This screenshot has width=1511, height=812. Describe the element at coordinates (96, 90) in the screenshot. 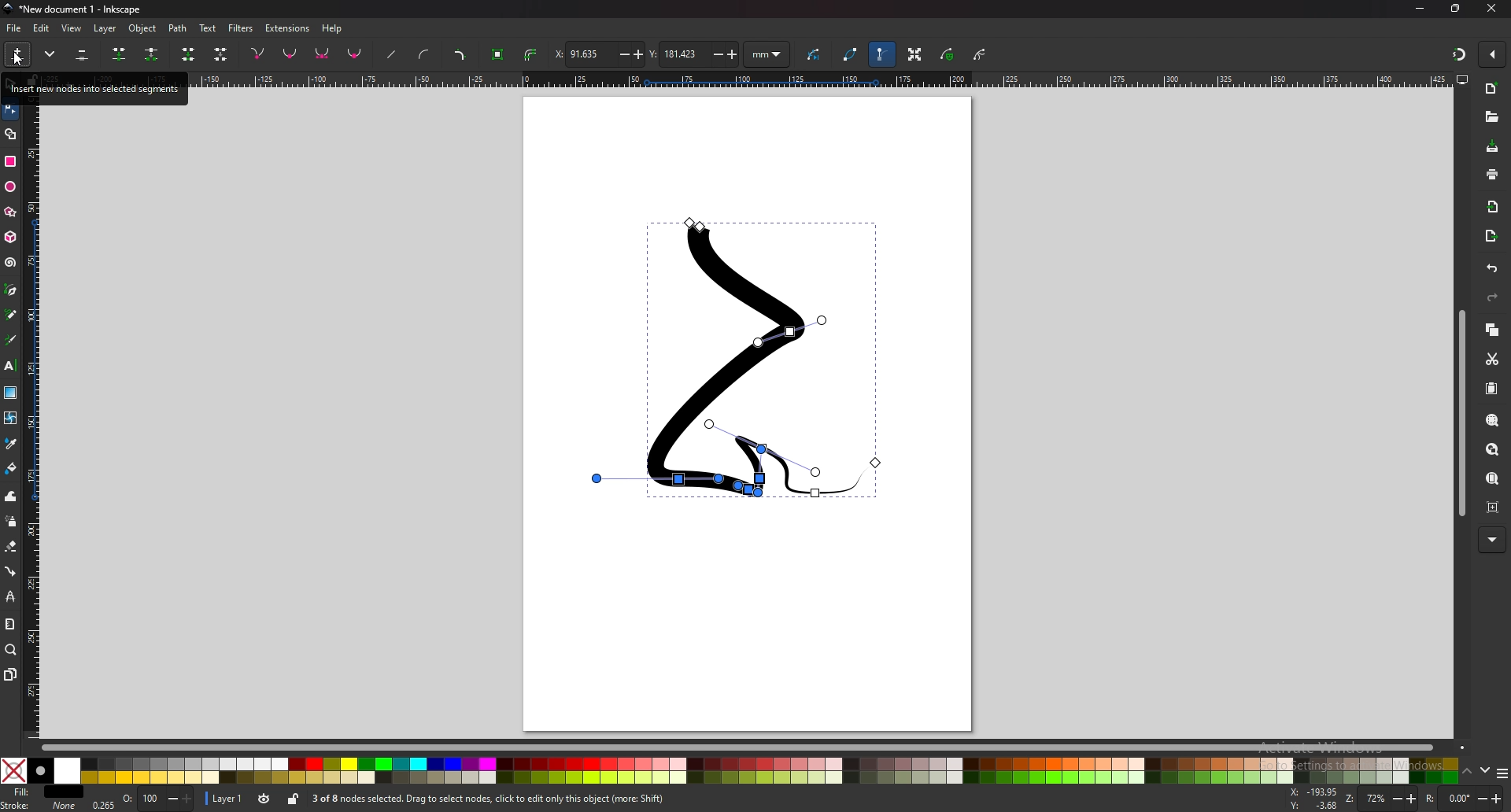

I see `tooltip` at that location.